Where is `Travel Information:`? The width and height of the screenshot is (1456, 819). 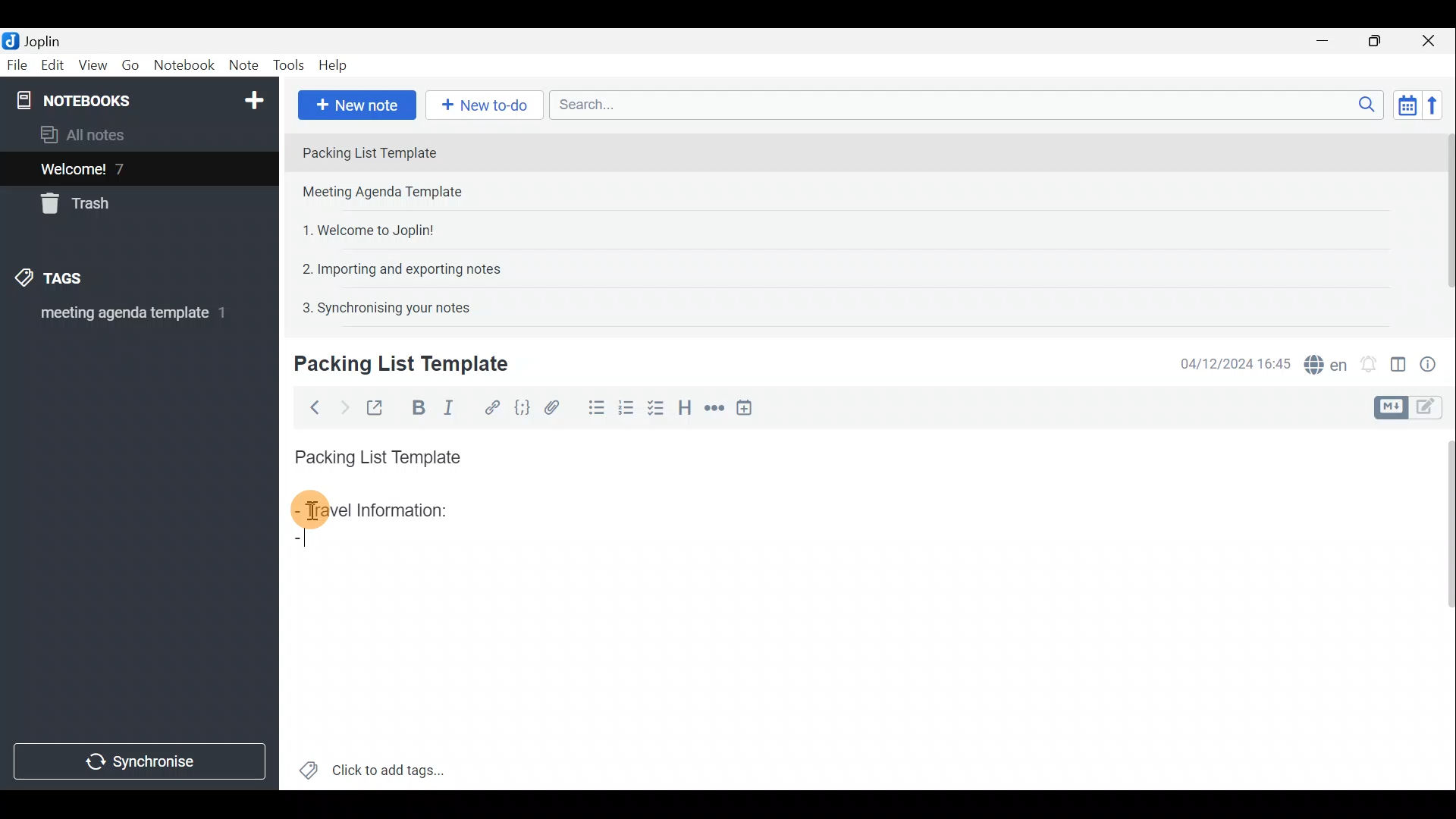
Travel Information: is located at coordinates (384, 512).